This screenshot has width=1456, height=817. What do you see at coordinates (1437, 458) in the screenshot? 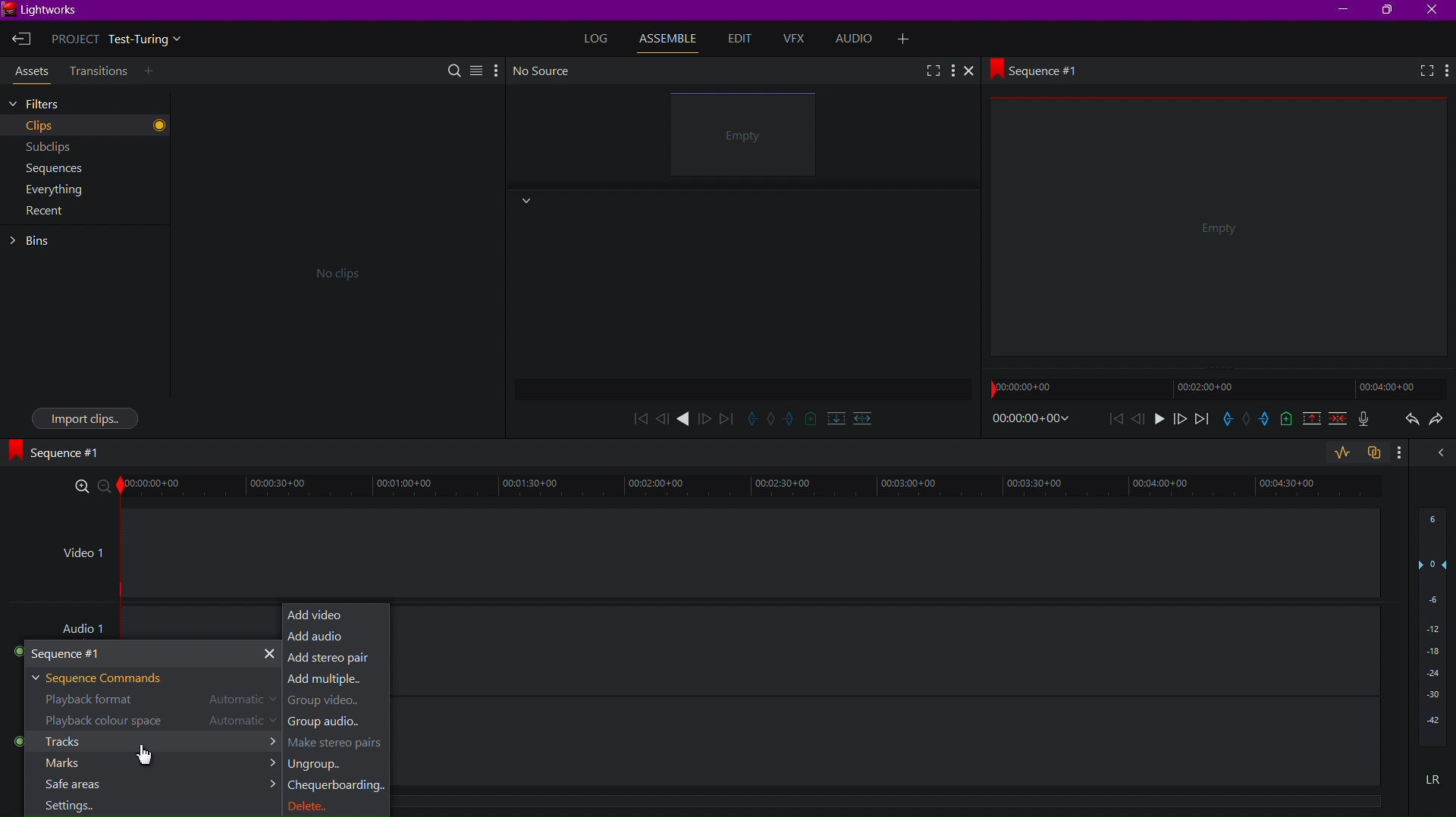
I see `close` at bounding box center [1437, 458].